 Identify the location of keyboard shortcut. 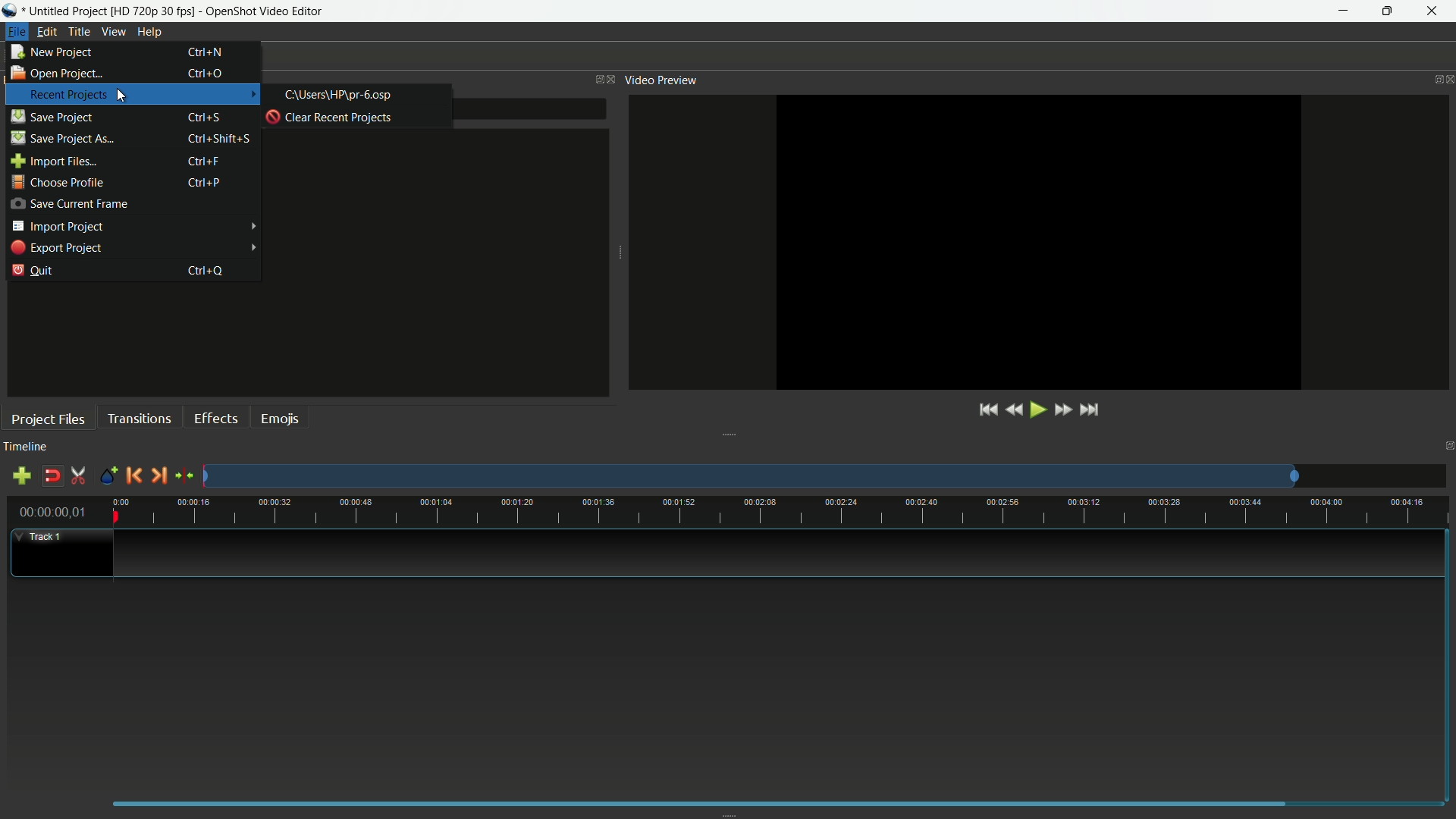
(203, 182).